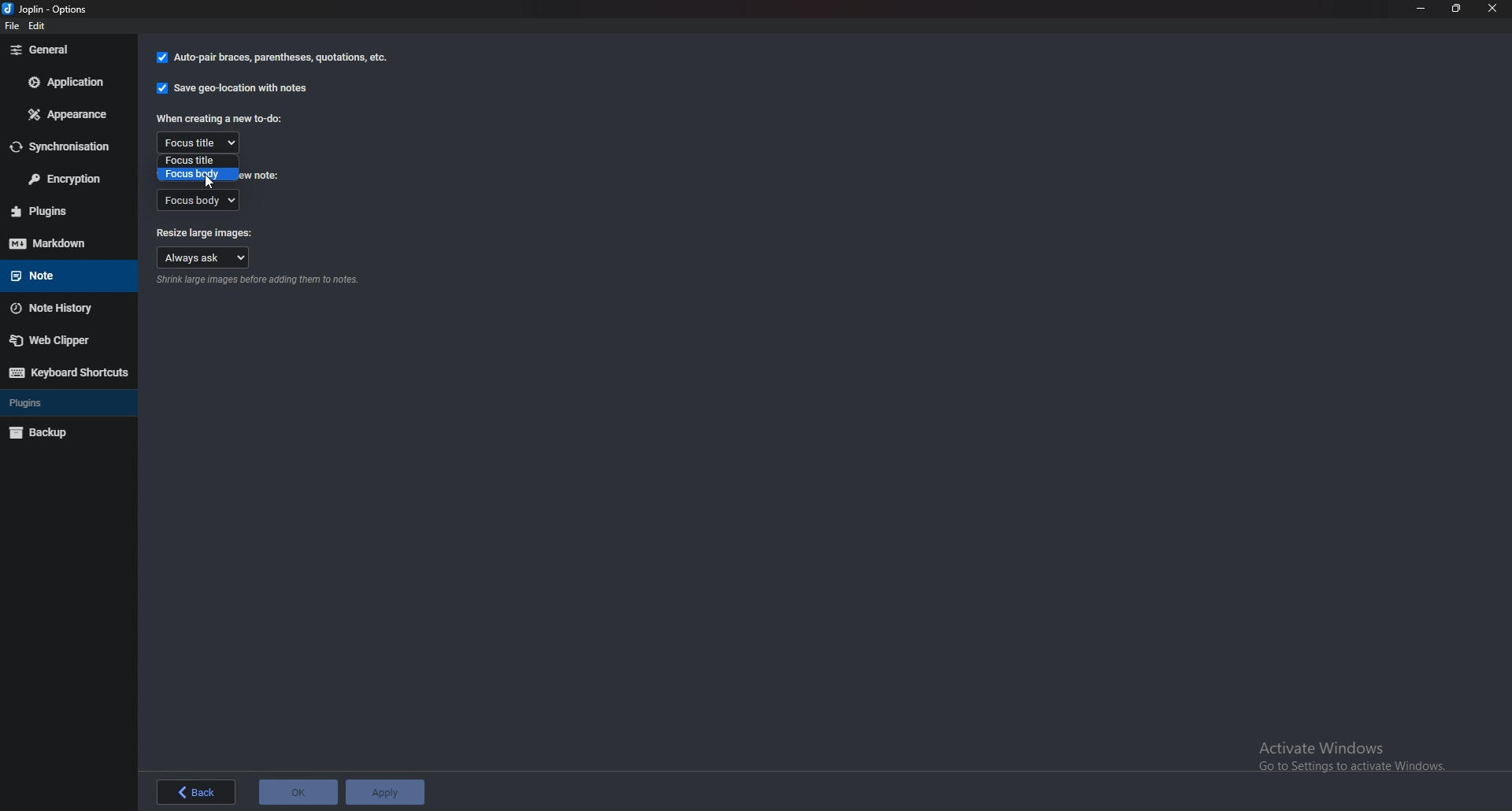  What do you see at coordinates (1421, 8) in the screenshot?
I see `Minimize` at bounding box center [1421, 8].